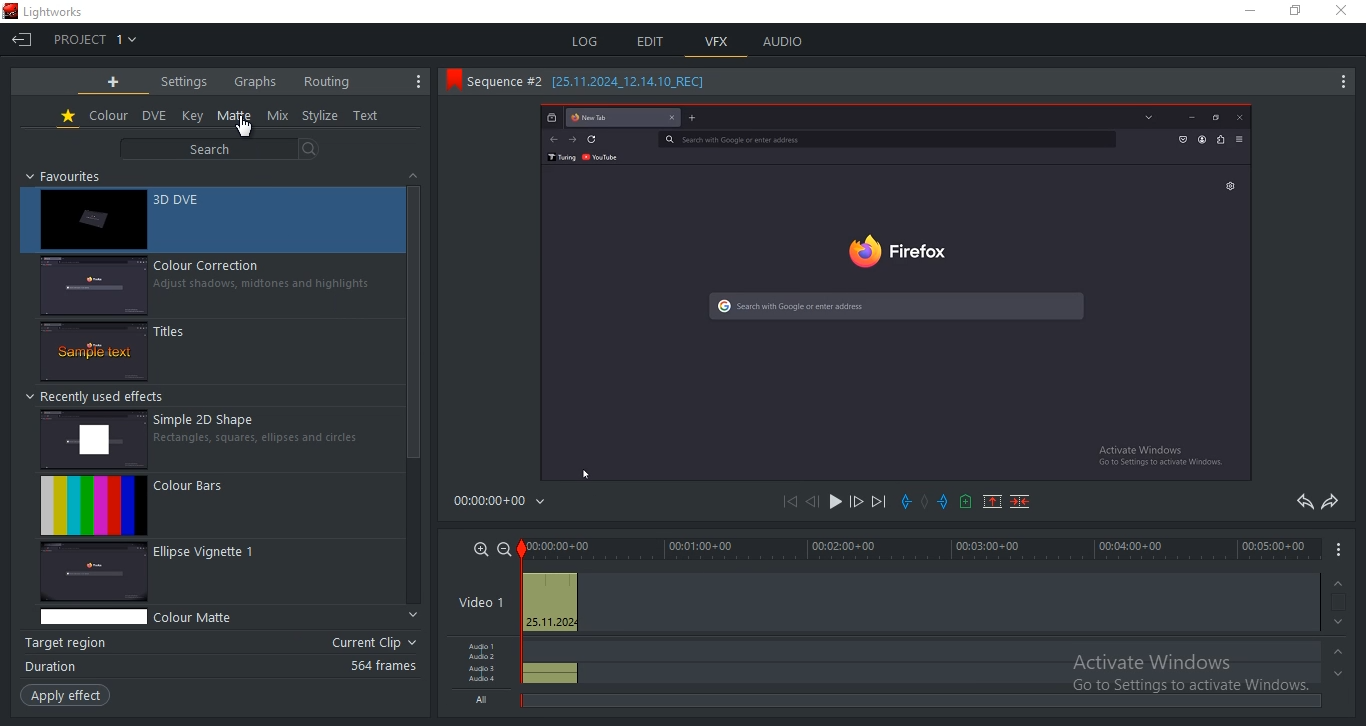  Describe the element at coordinates (943, 500) in the screenshot. I see `add an in mark ` at that location.